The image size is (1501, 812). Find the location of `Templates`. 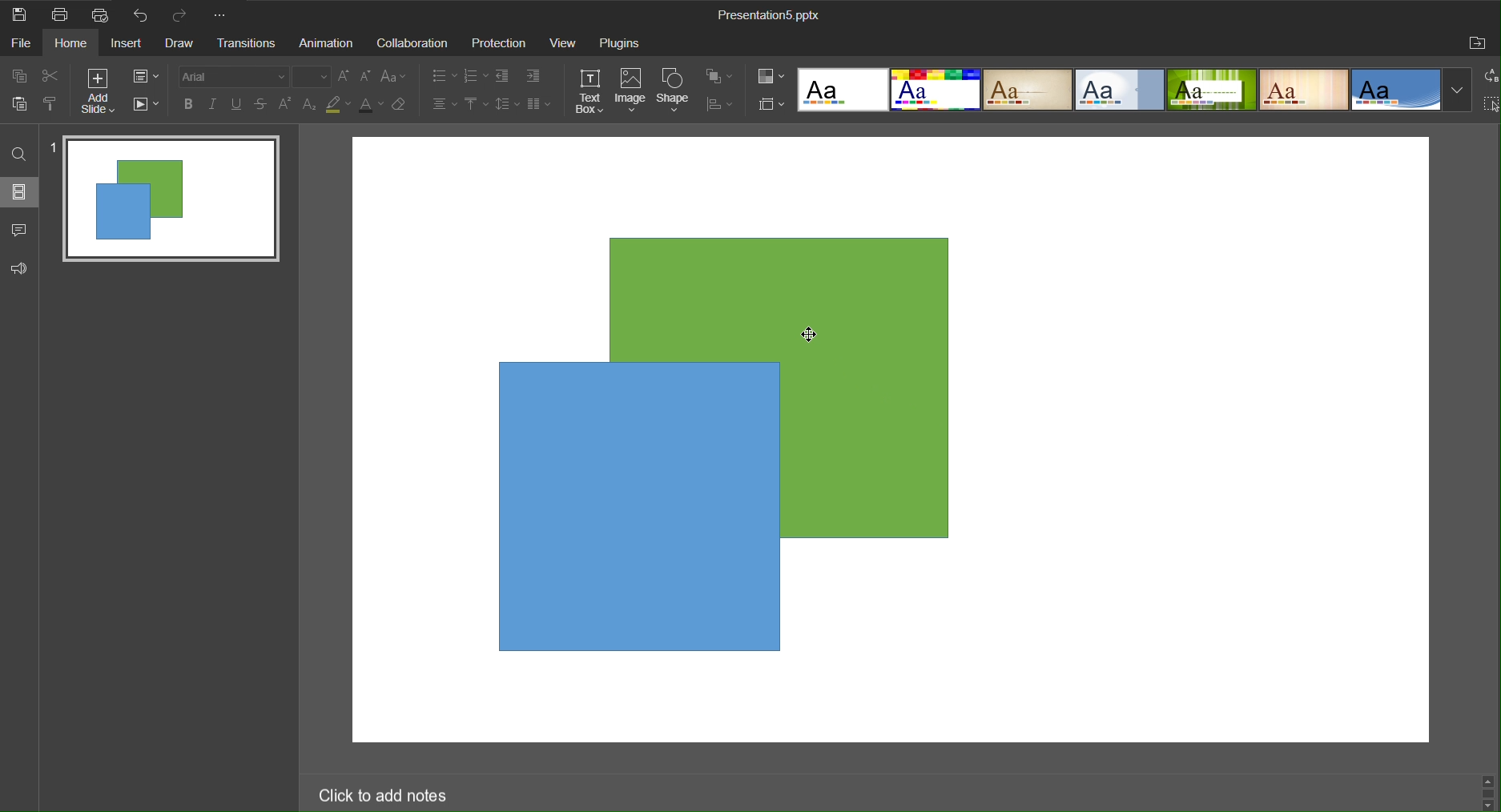

Templates is located at coordinates (1132, 89).